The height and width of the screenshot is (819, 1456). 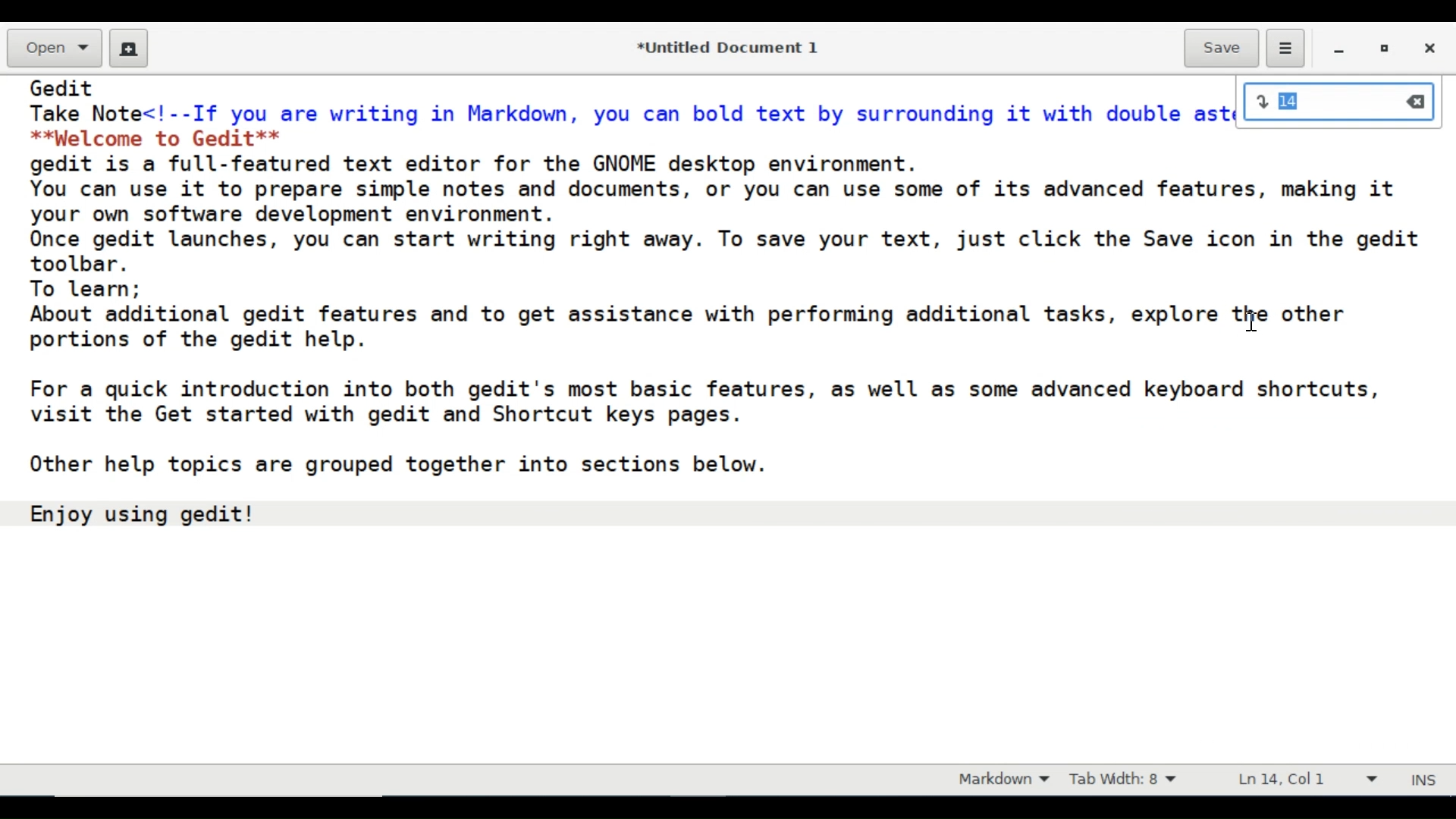 What do you see at coordinates (705, 402) in the screenshot?
I see `For a quick introduction into both gedit's most basic features, as well as some advanced keyboard shortcuts,
visit the Get started with gedit and Shortcut keys pages.` at bounding box center [705, 402].